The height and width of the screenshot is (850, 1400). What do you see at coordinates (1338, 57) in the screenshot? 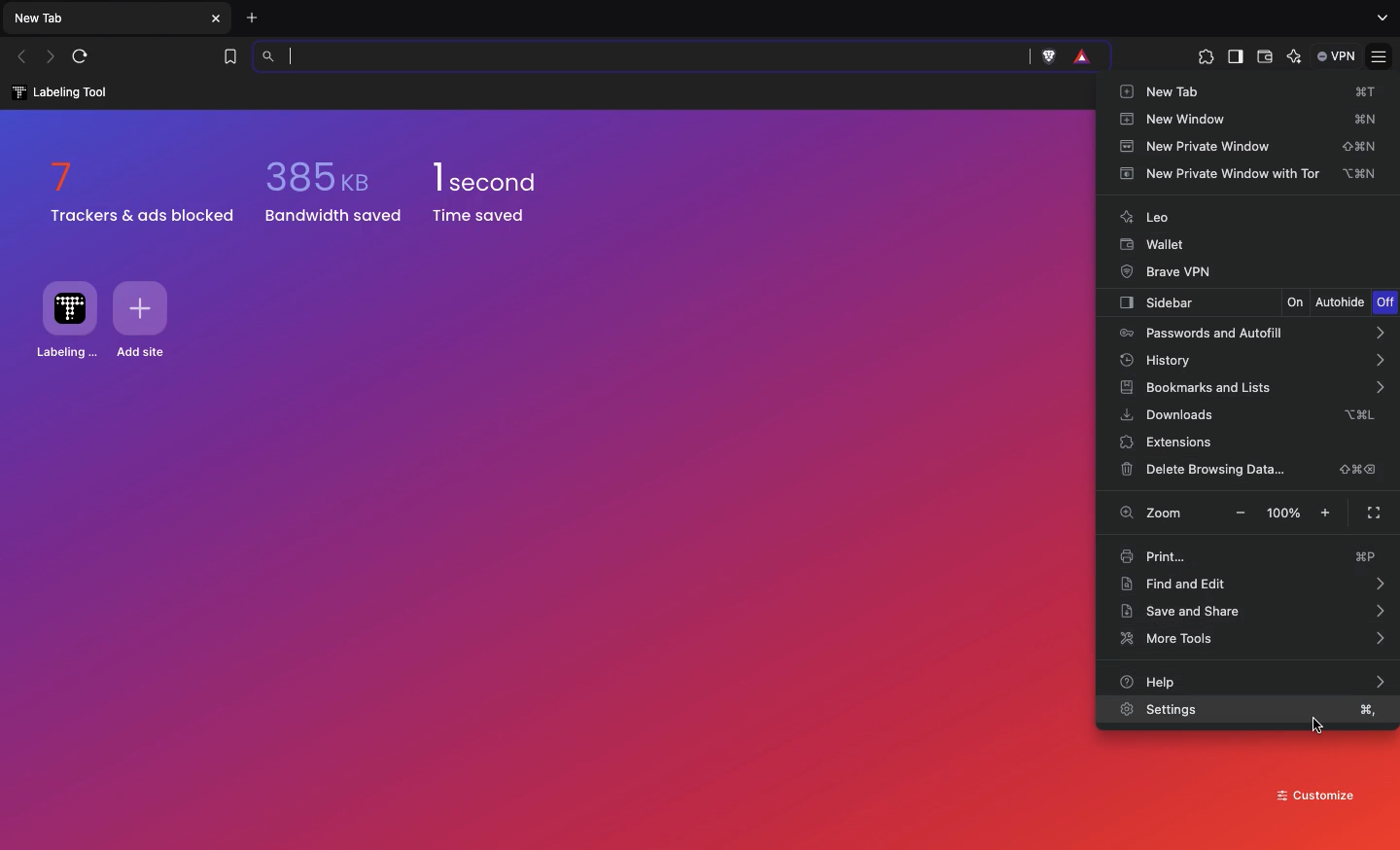
I see `VPN` at bounding box center [1338, 57].